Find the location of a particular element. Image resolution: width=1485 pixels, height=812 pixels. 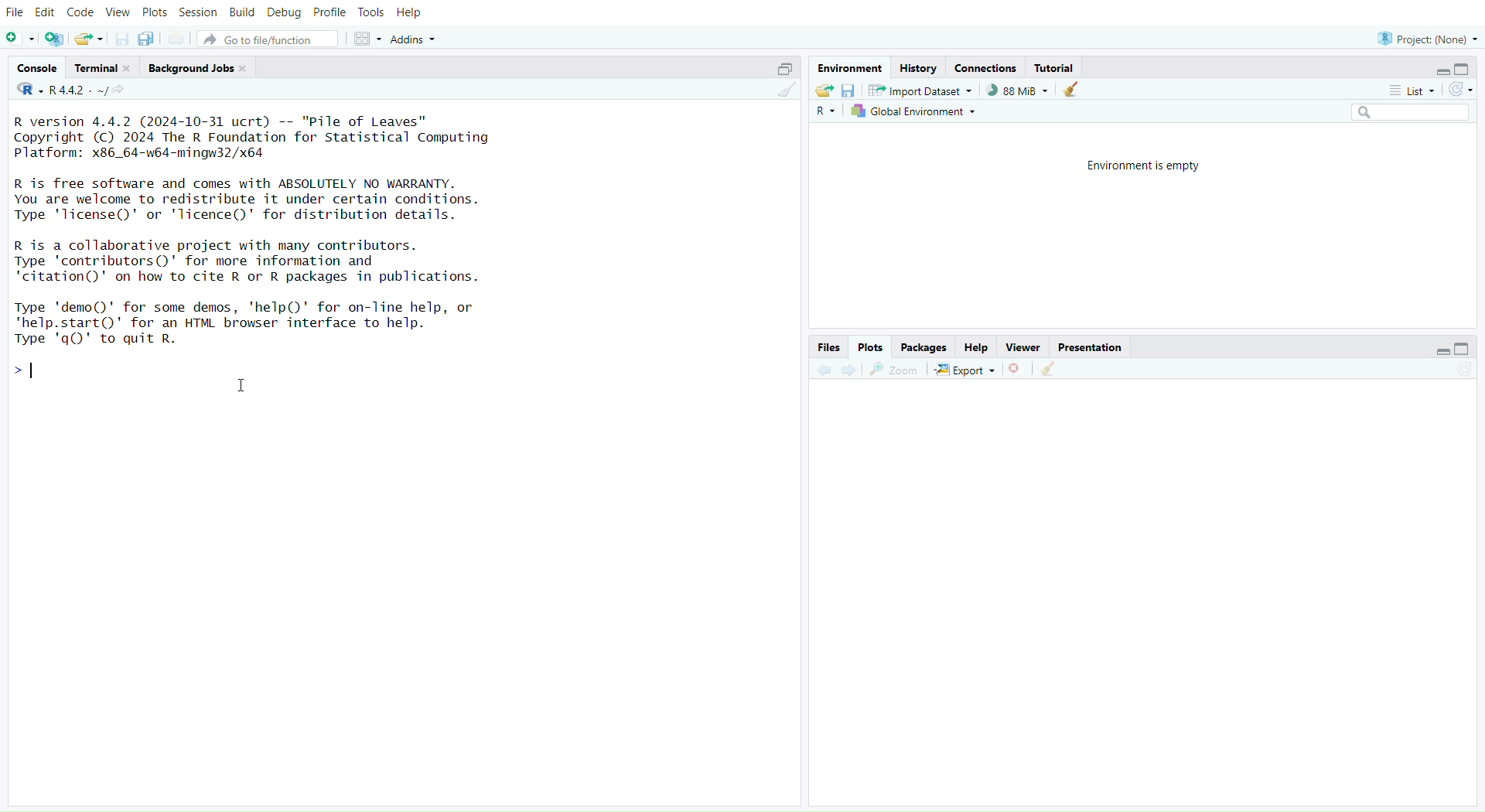

import dataset is located at coordinates (920, 91).